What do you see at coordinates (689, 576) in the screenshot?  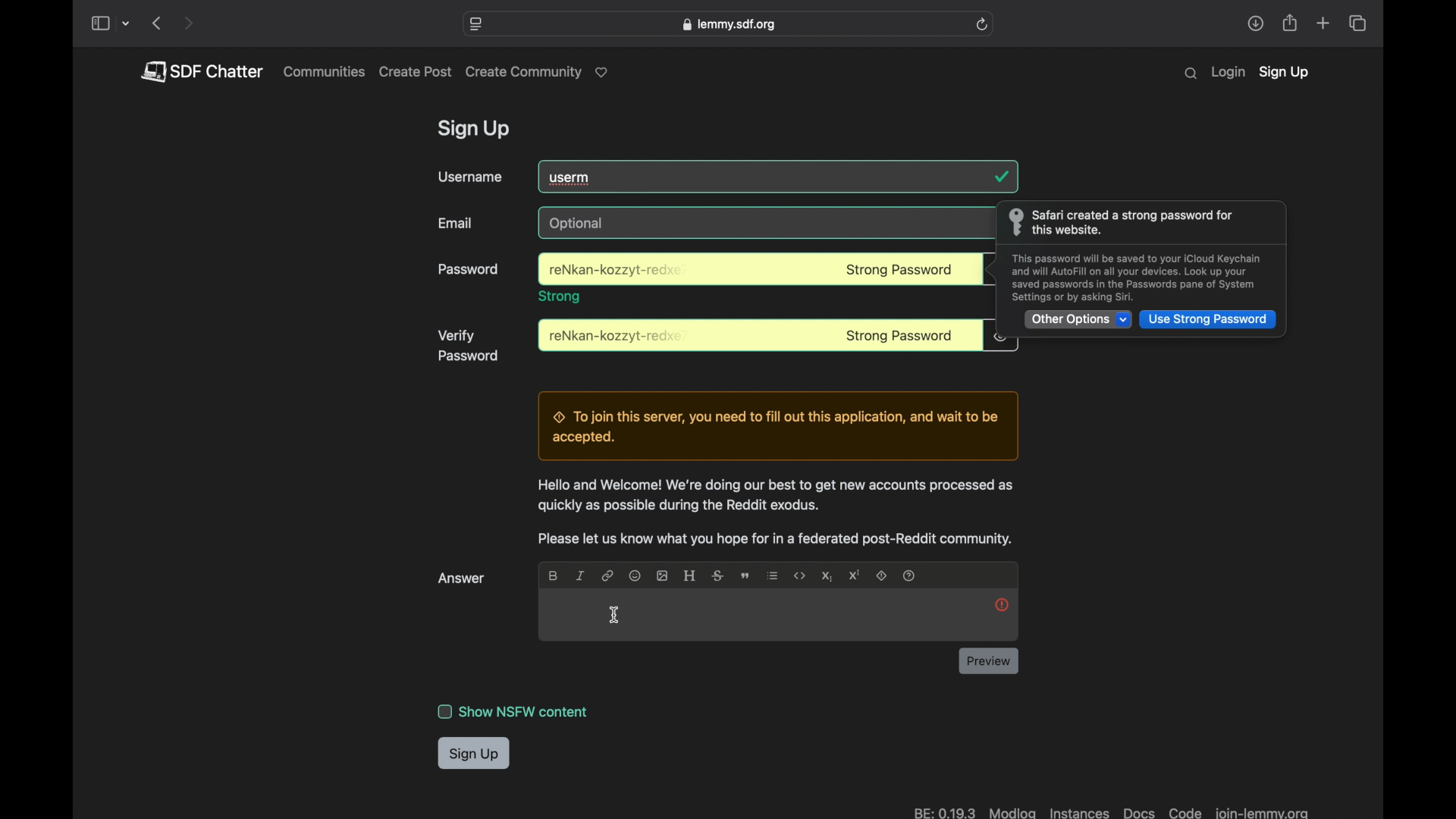 I see `heading` at bounding box center [689, 576].